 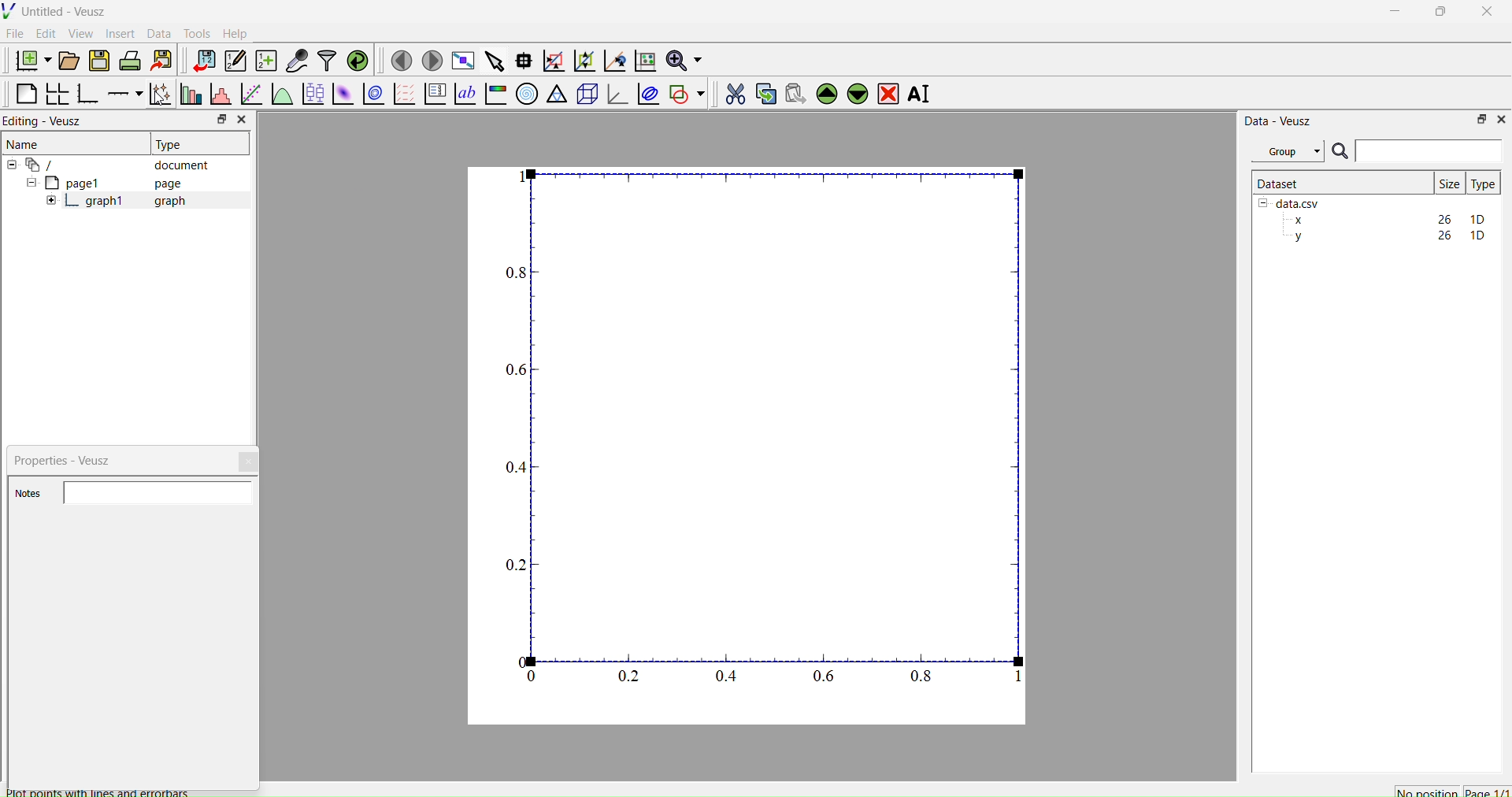 I want to click on File, so click(x=15, y=33).